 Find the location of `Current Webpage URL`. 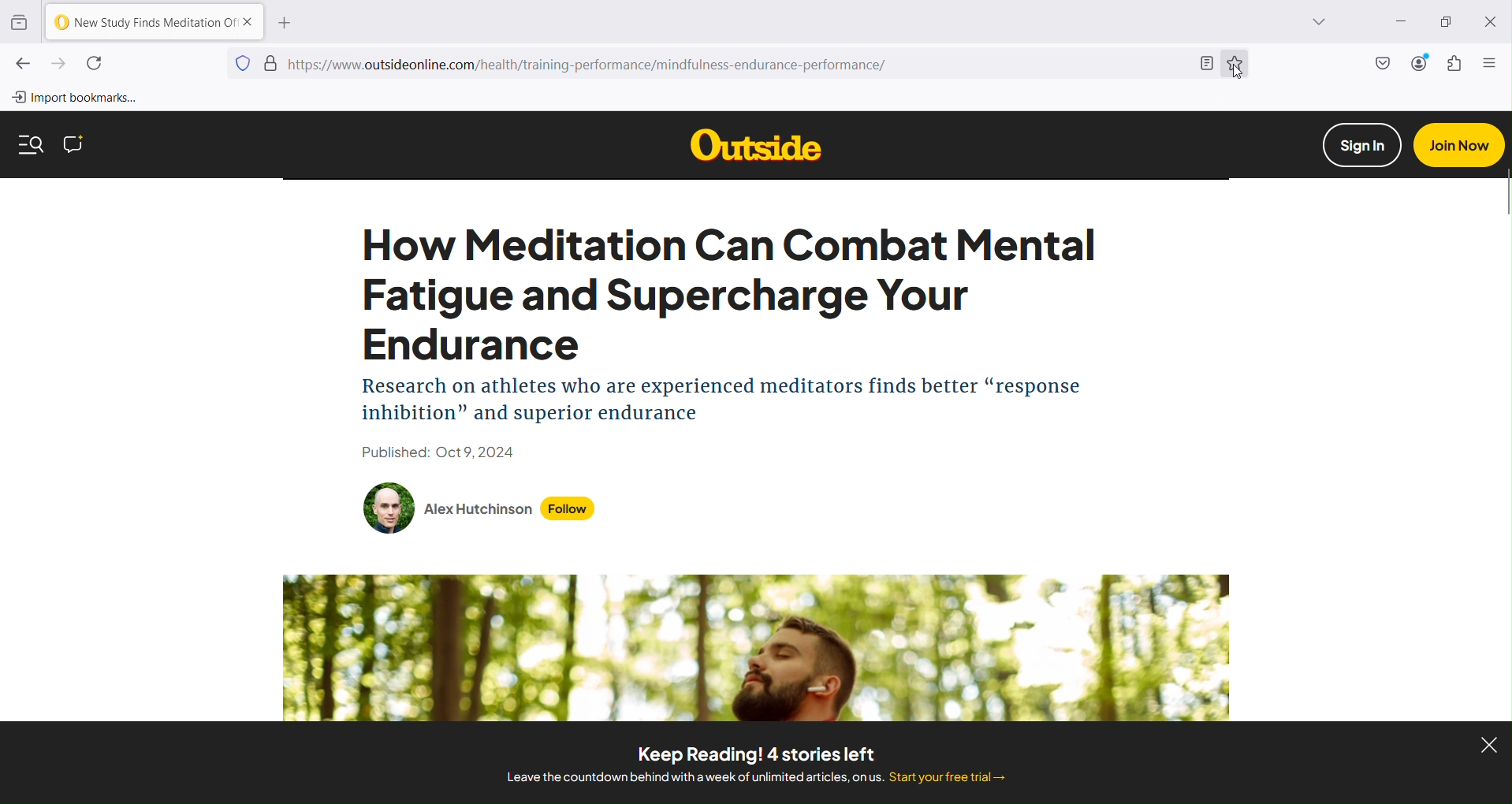

Current Webpage URL is located at coordinates (736, 64).